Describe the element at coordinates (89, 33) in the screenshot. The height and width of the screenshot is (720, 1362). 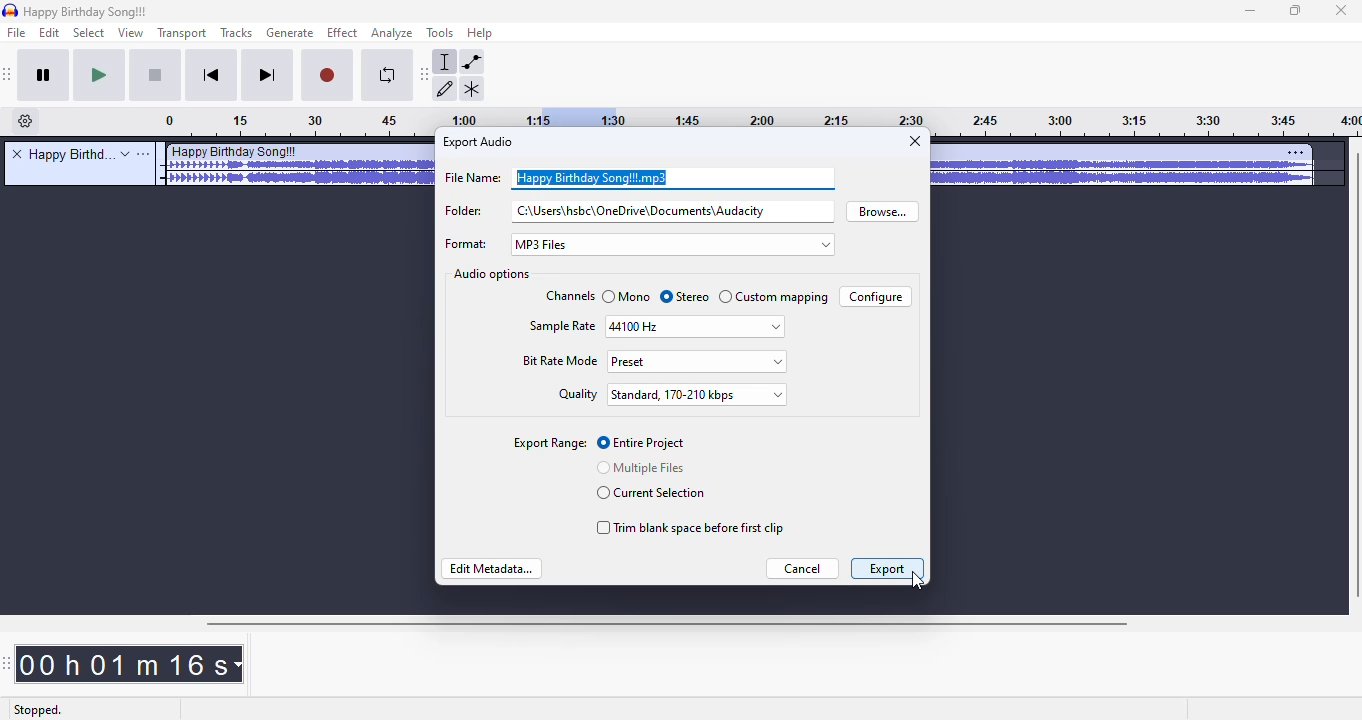
I see `select` at that location.